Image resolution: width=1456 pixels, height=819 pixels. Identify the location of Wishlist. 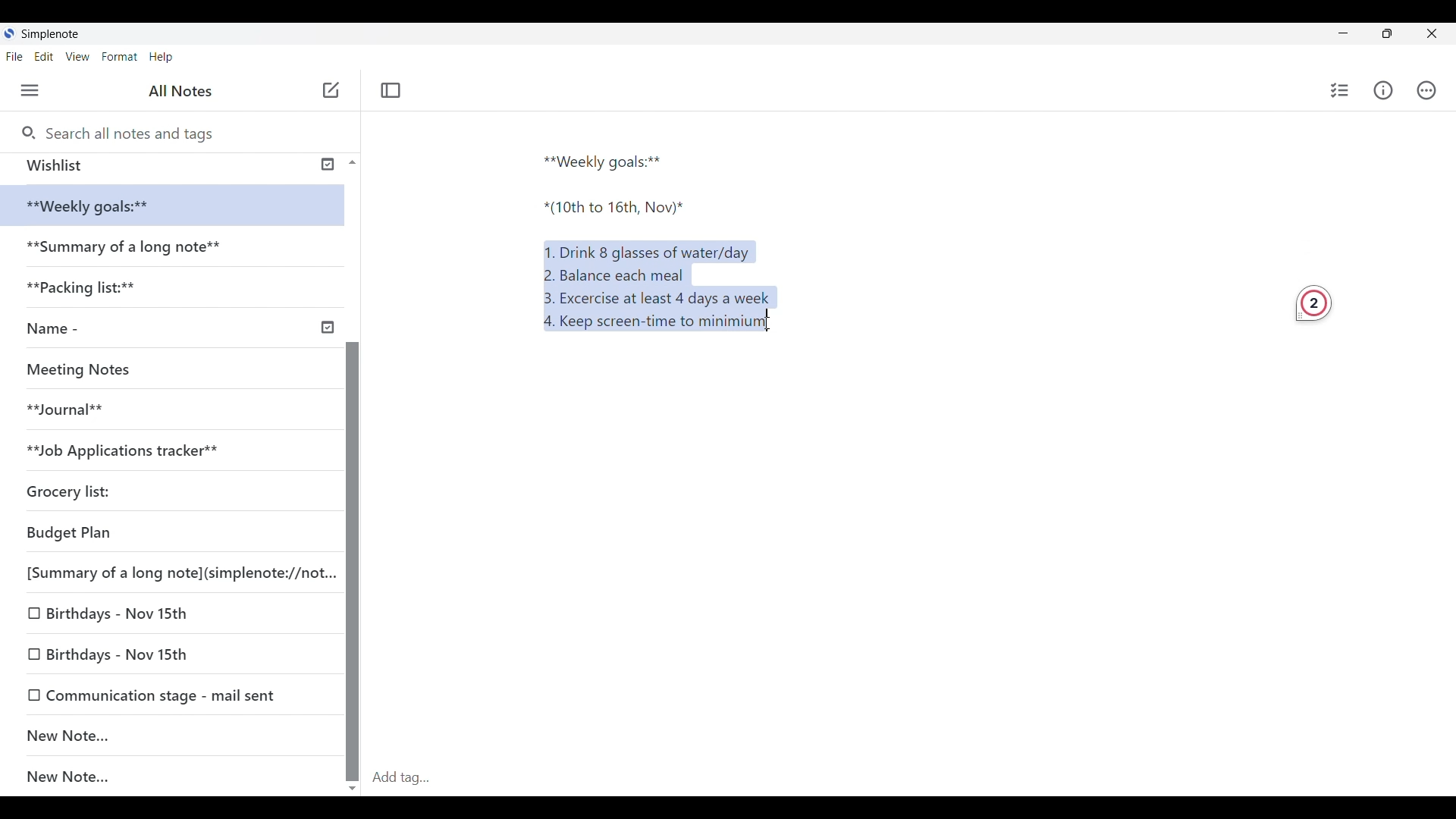
(168, 165).